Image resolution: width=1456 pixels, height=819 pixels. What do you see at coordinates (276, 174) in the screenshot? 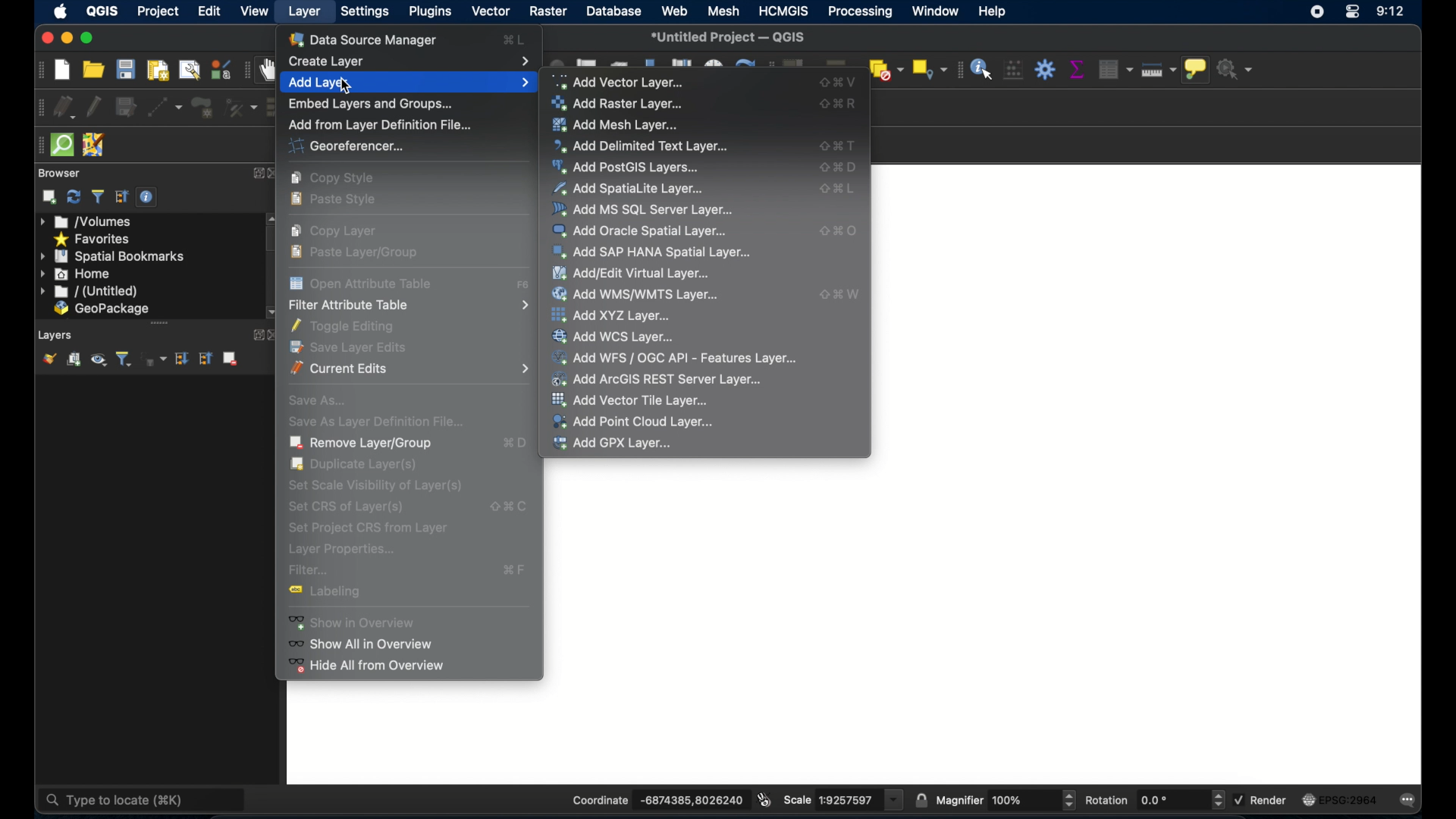
I see `close` at bounding box center [276, 174].